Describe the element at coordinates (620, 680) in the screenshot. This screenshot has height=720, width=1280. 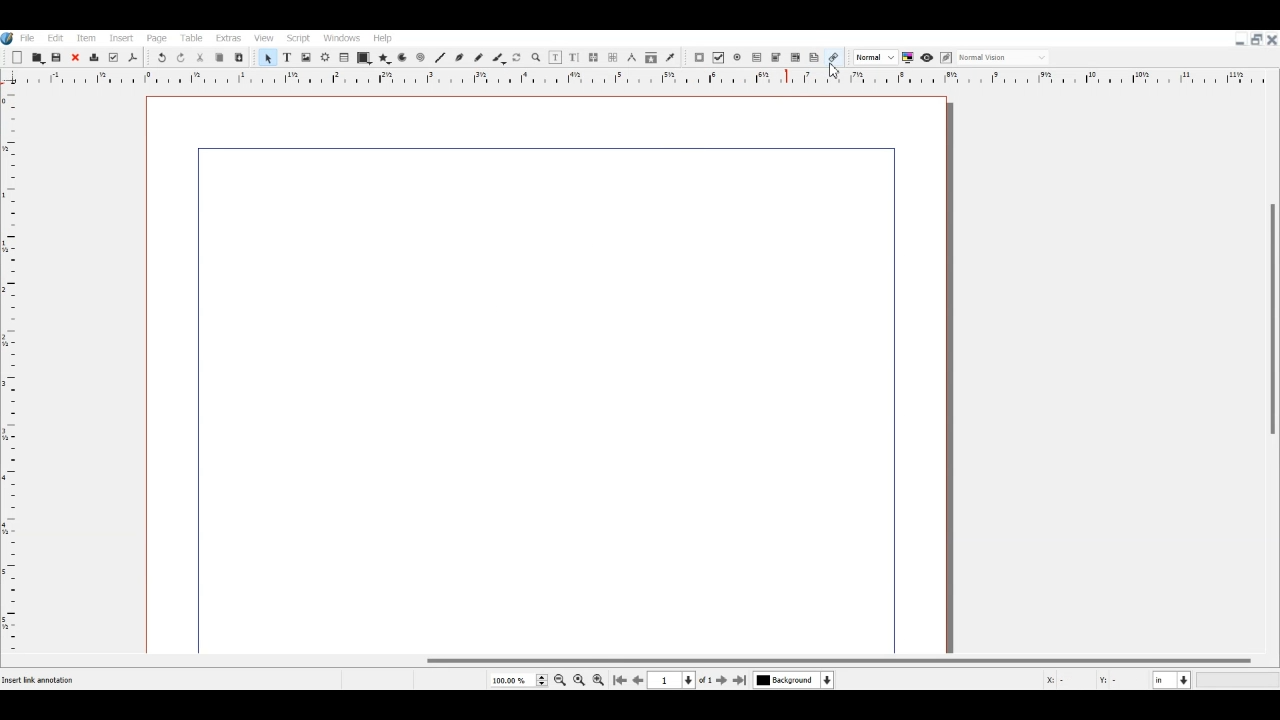
I see `Go to First Page` at that location.